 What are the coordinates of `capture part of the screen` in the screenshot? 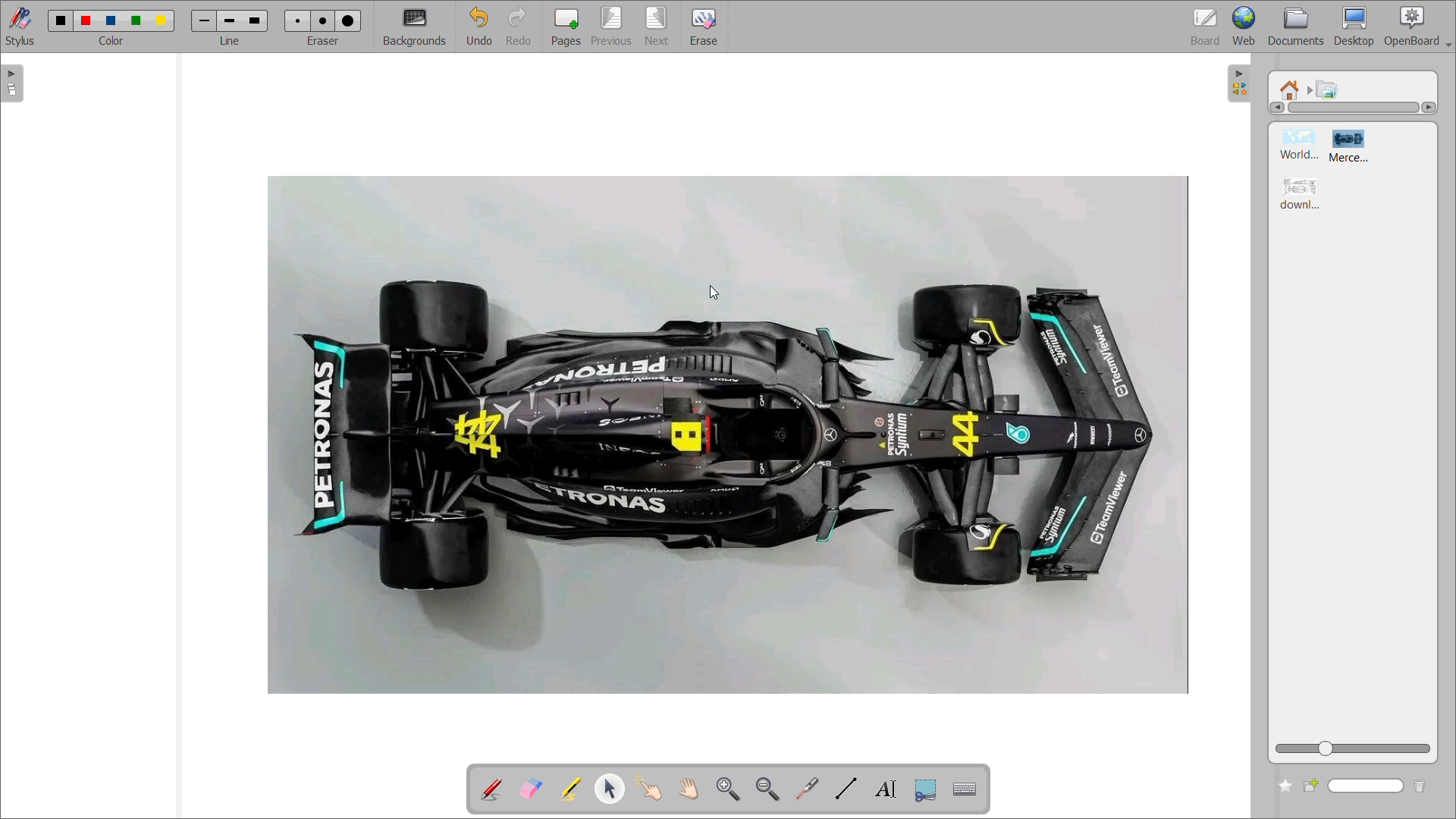 It's located at (924, 788).